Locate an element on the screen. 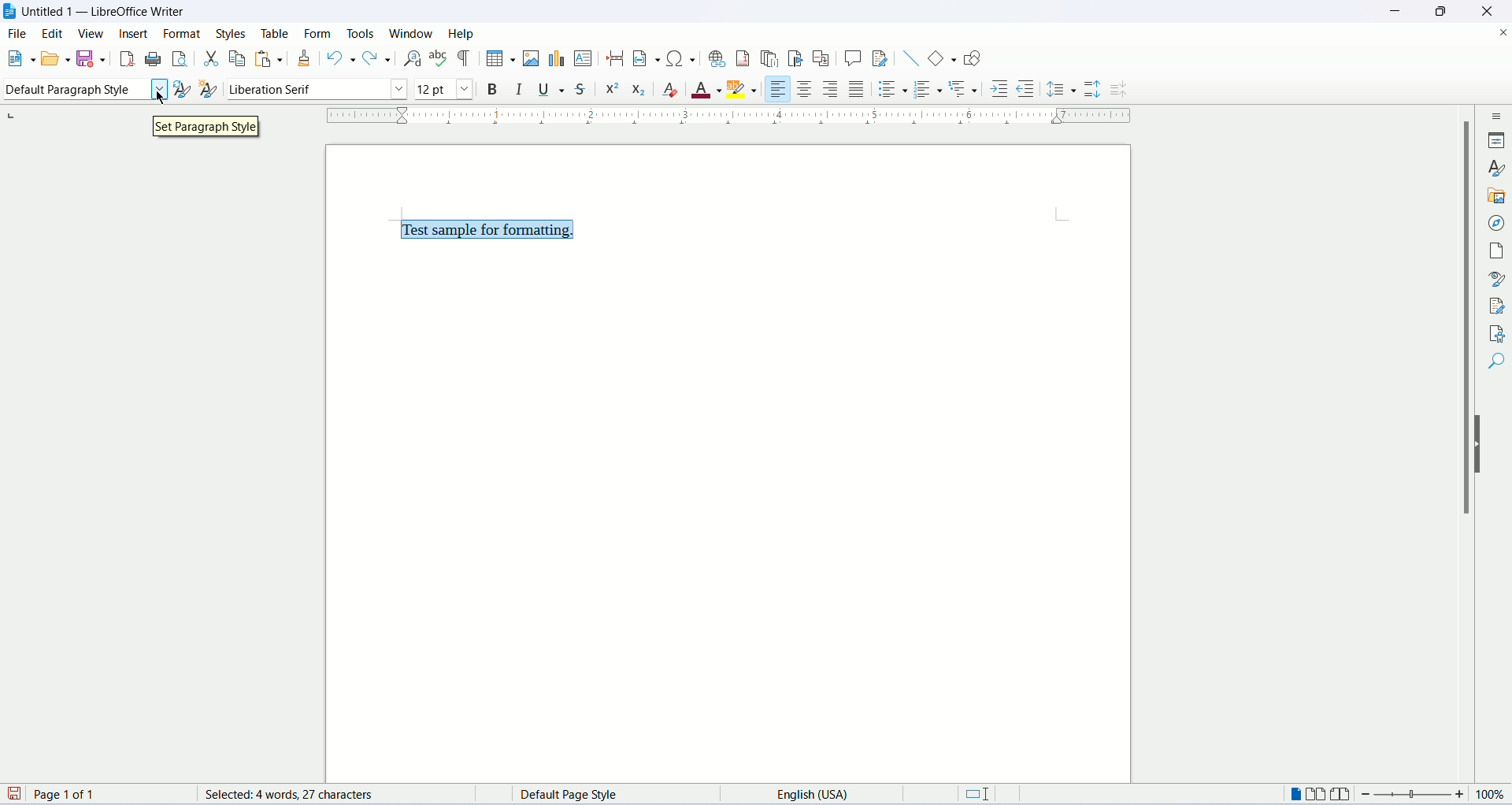 Image resolution: width=1512 pixels, height=805 pixels. unordered list is located at coordinates (891, 88).